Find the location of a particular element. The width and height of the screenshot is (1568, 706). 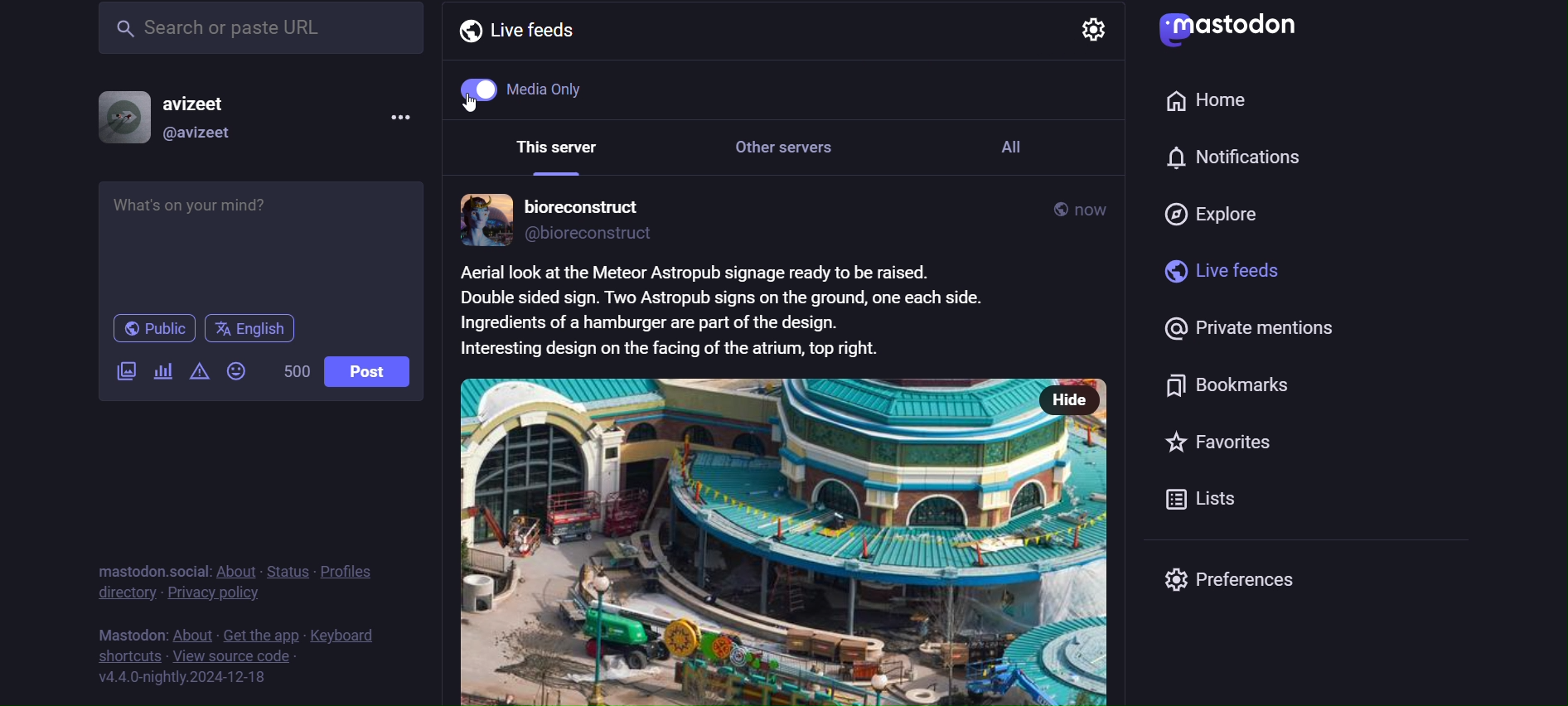

This server is located at coordinates (561, 145).